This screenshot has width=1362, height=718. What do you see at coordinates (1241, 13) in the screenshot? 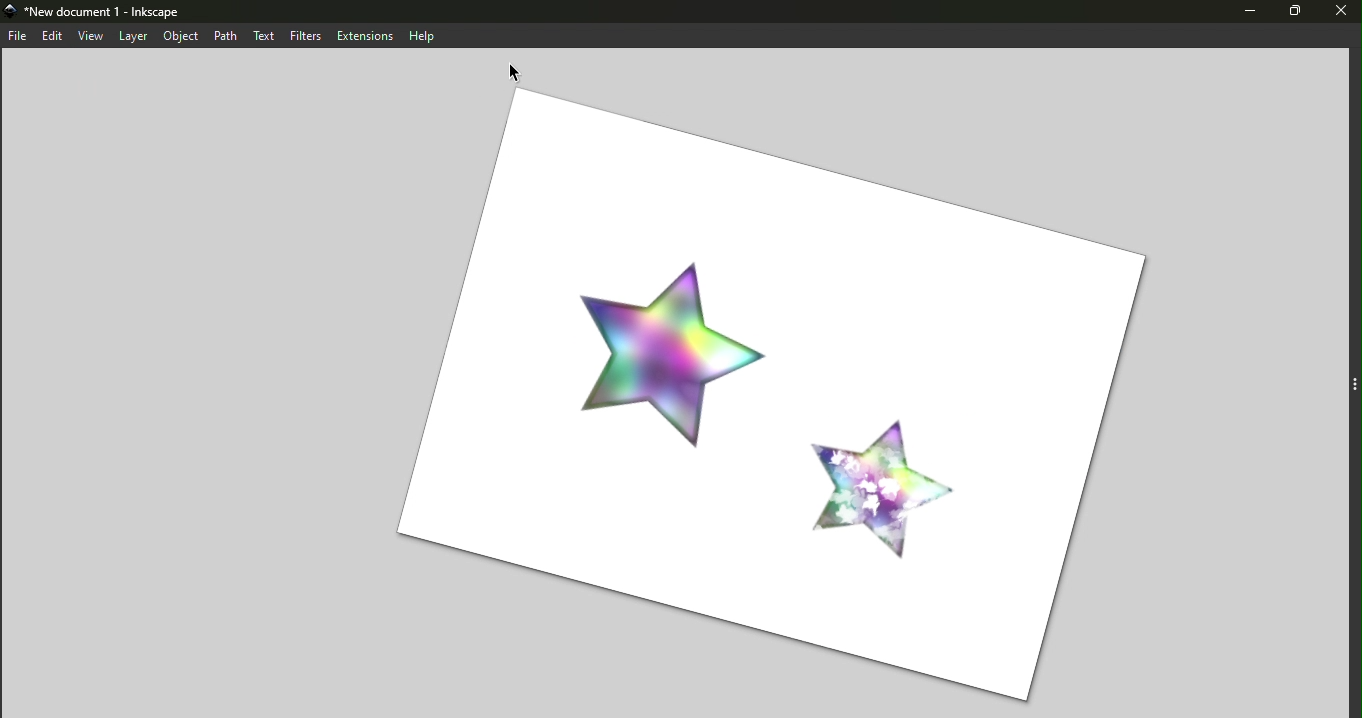
I see `Minimize` at bounding box center [1241, 13].